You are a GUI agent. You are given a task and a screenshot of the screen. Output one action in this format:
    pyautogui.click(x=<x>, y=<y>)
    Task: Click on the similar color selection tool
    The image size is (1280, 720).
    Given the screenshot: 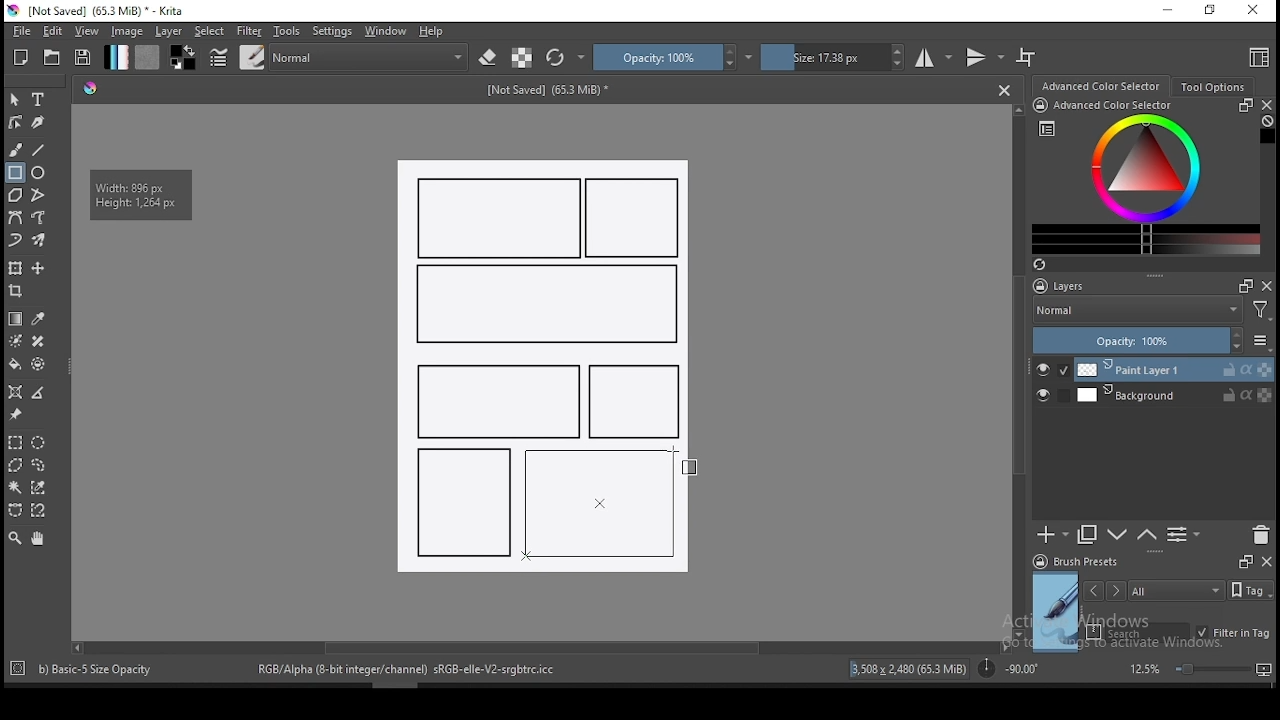 What is the action you would take?
    pyautogui.click(x=41, y=487)
    